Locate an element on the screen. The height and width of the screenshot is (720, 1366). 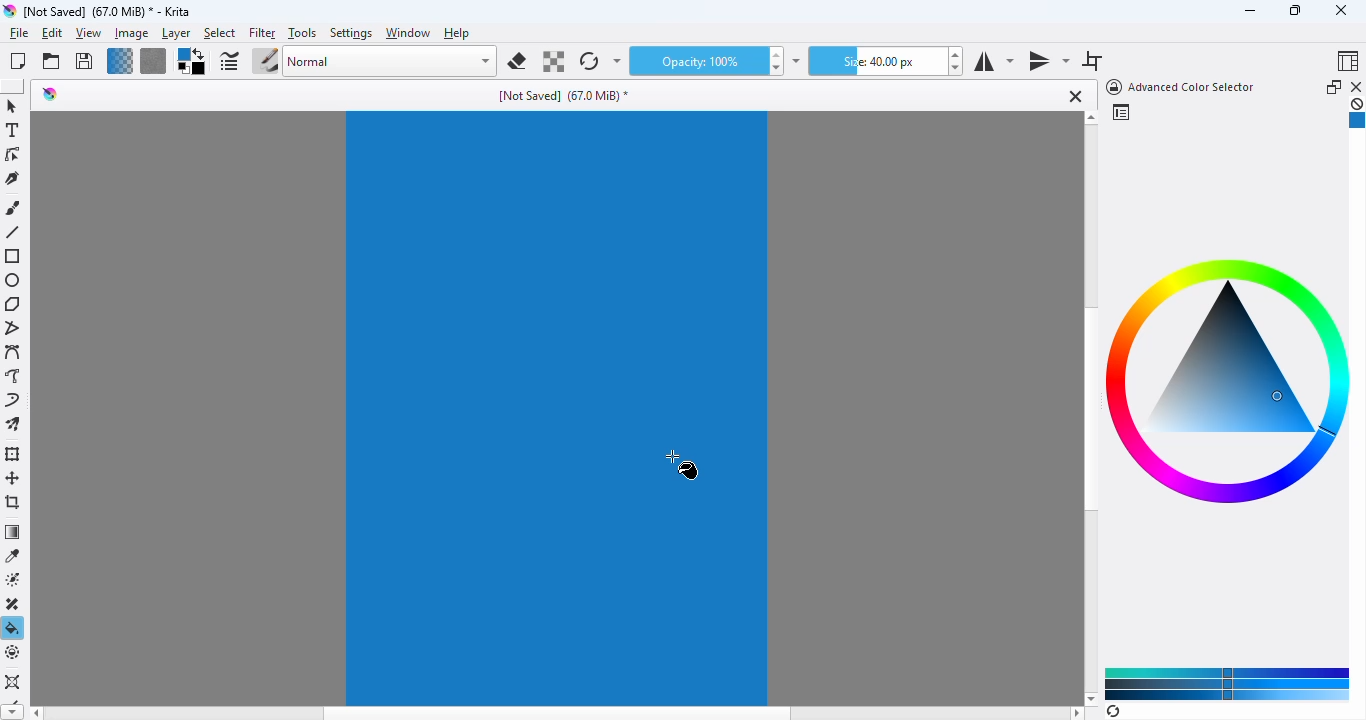
fill patterns is located at coordinates (154, 61).